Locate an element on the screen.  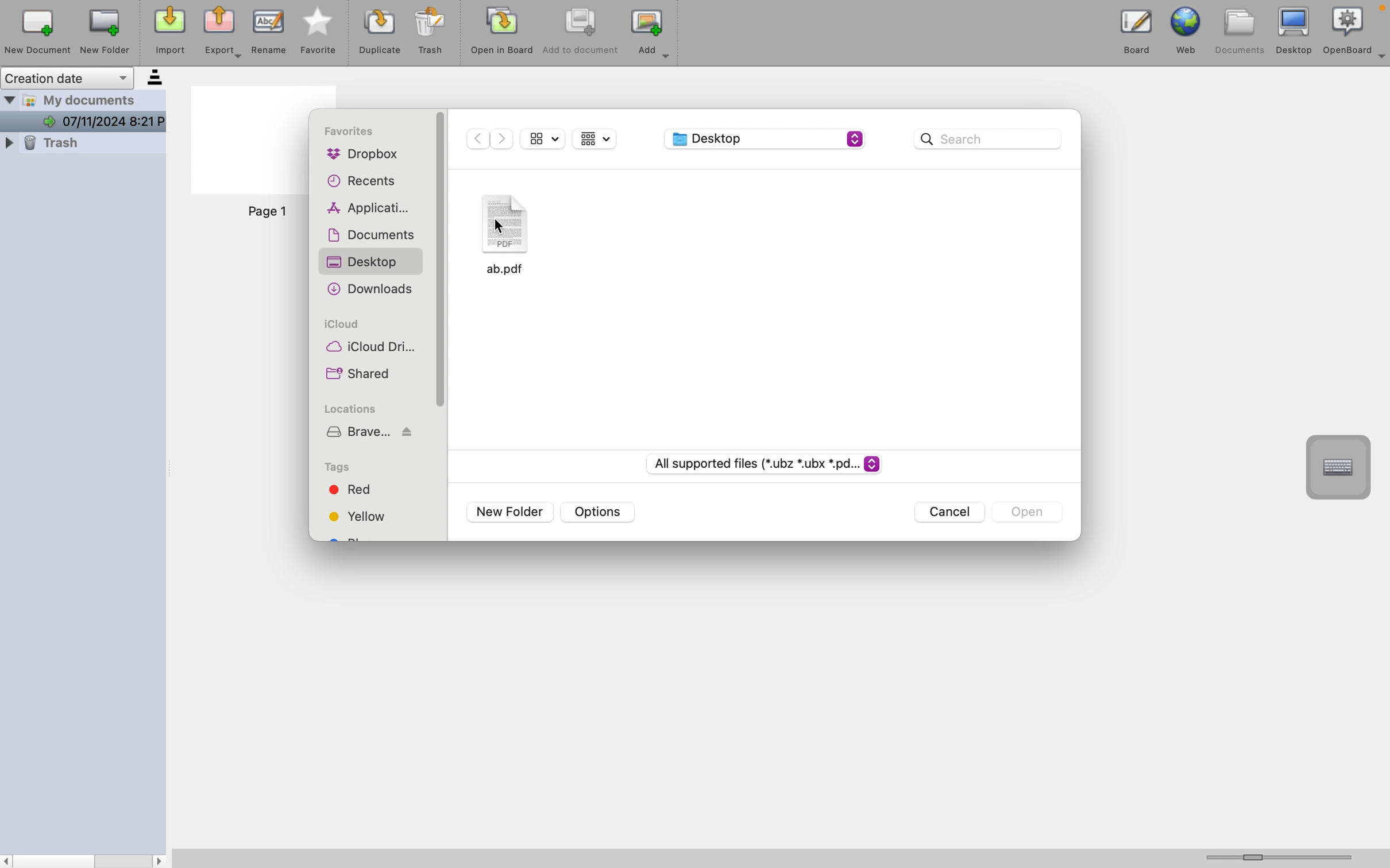
my documents is located at coordinates (87, 111).